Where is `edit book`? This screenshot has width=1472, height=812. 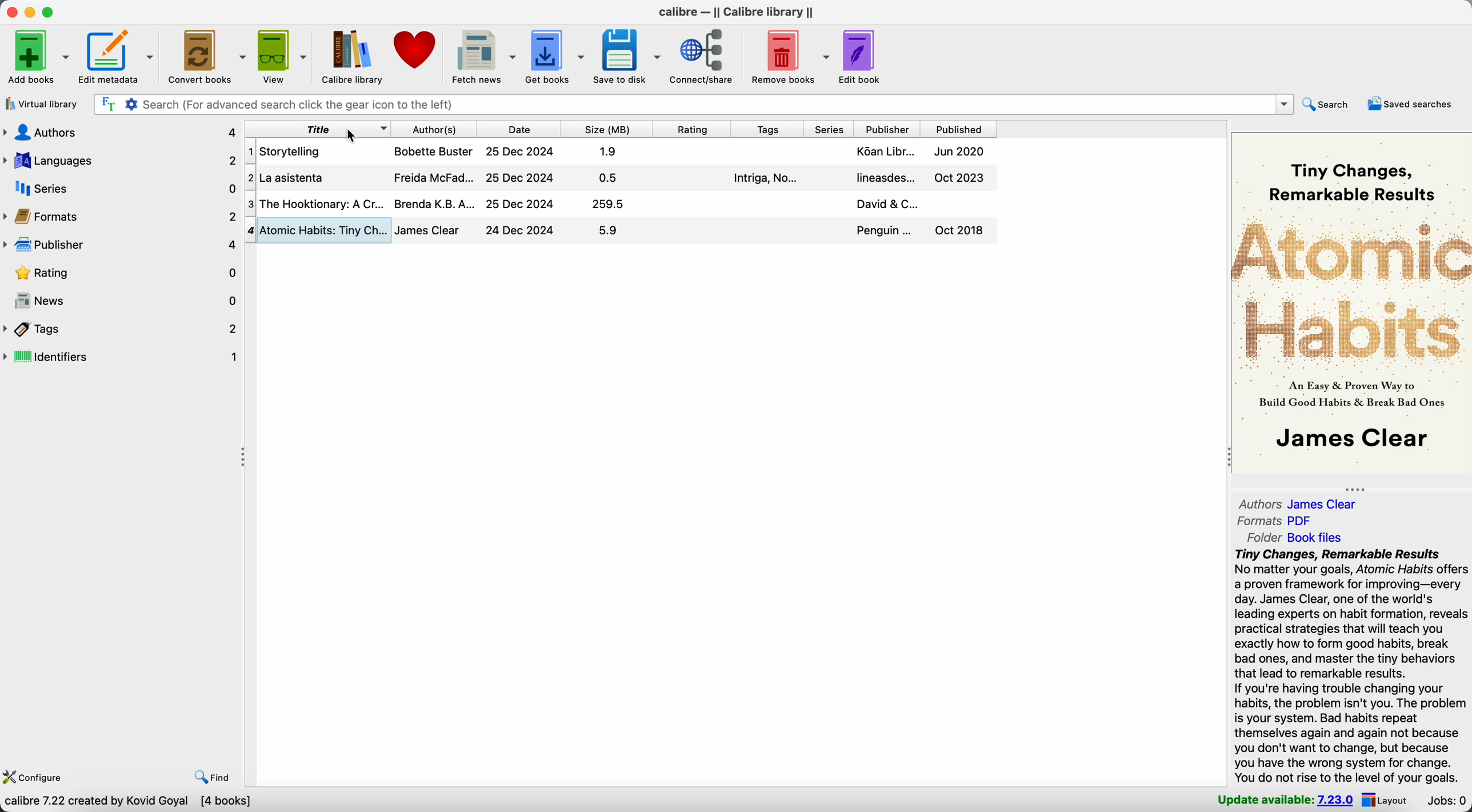 edit book is located at coordinates (864, 57).